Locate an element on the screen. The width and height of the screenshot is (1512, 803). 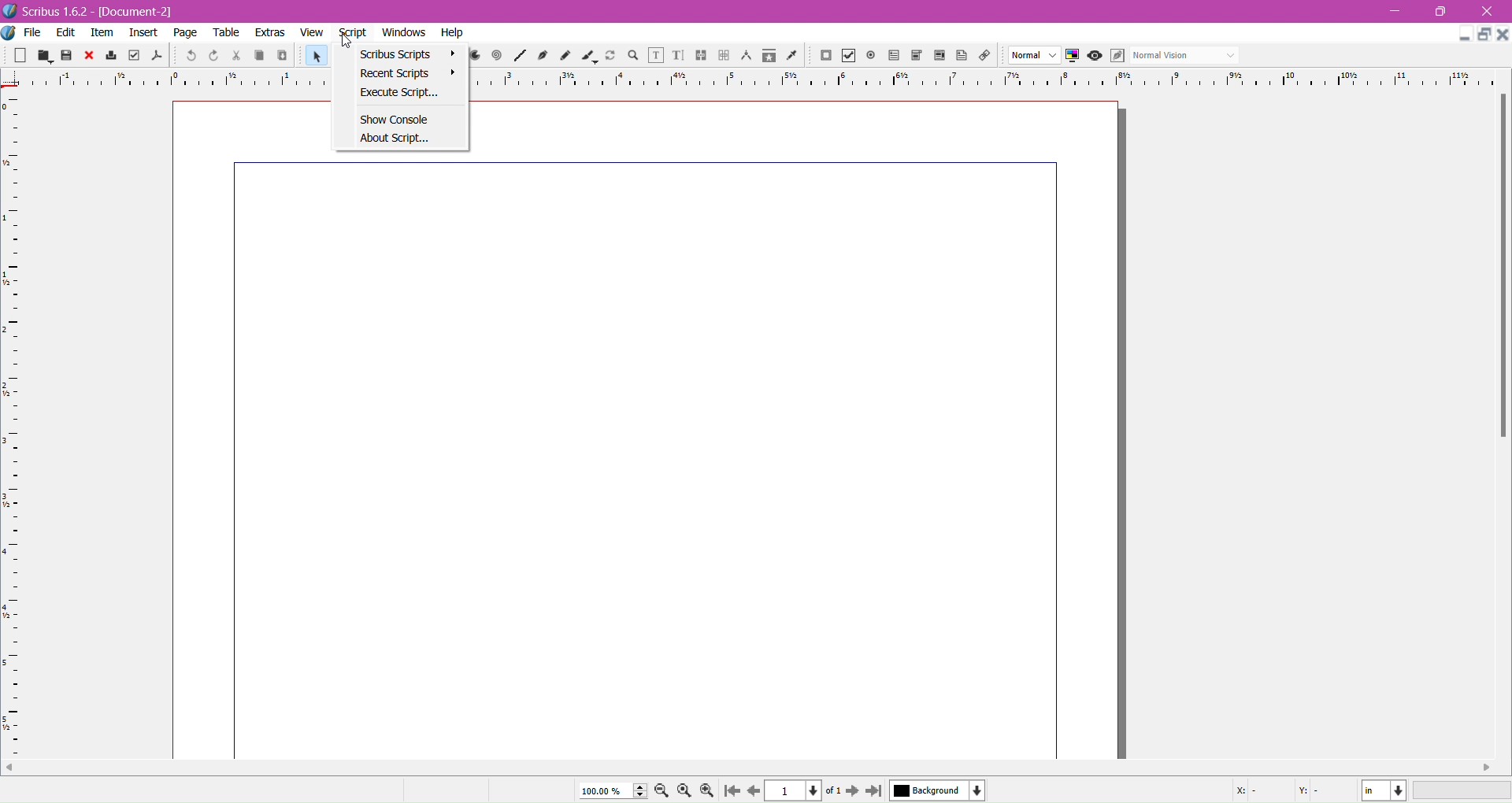
Edit Contents of Frame is located at coordinates (656, 56).